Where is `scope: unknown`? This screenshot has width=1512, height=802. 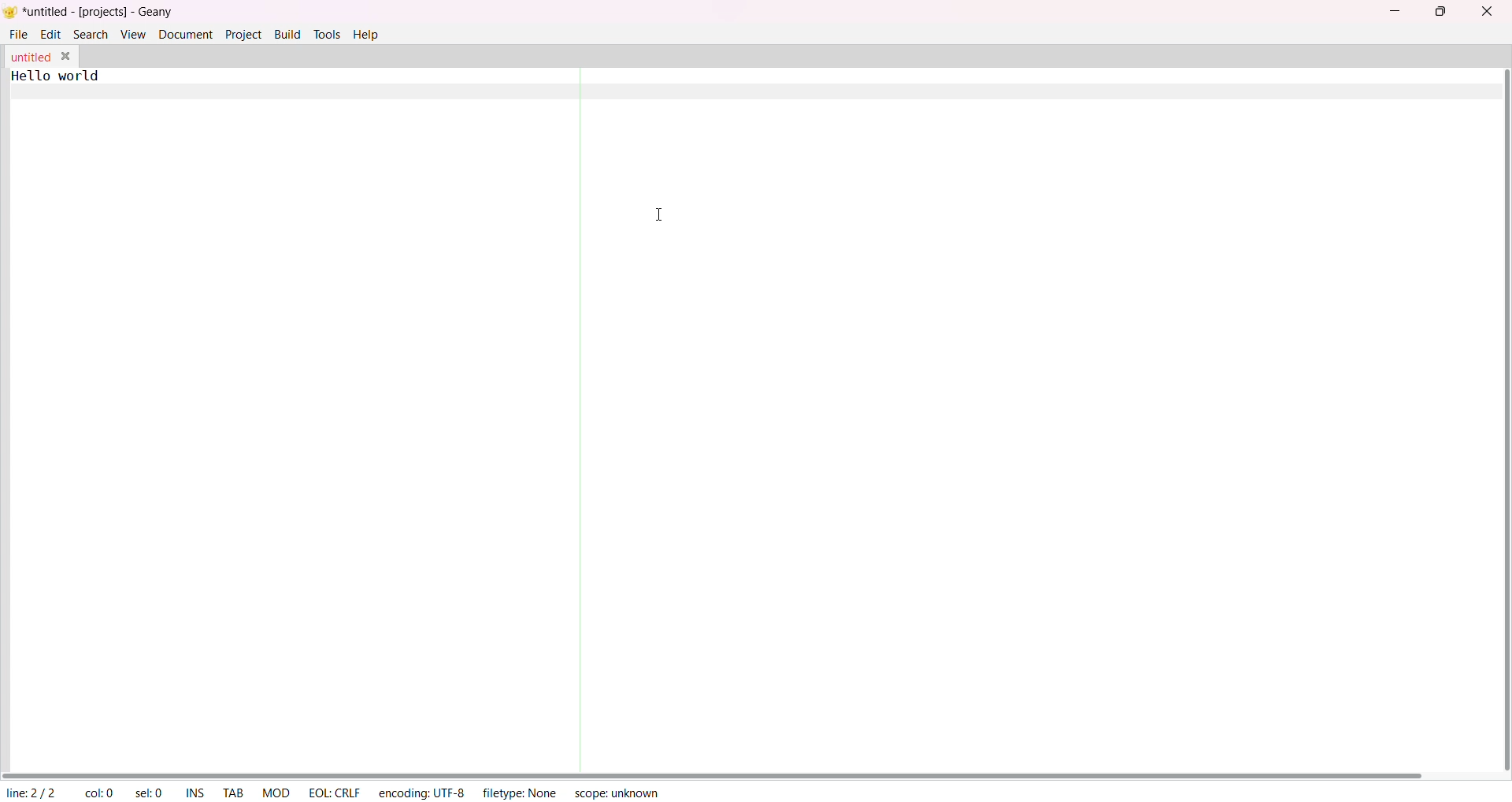 scope: unknown is located at coordinates (618, 792).